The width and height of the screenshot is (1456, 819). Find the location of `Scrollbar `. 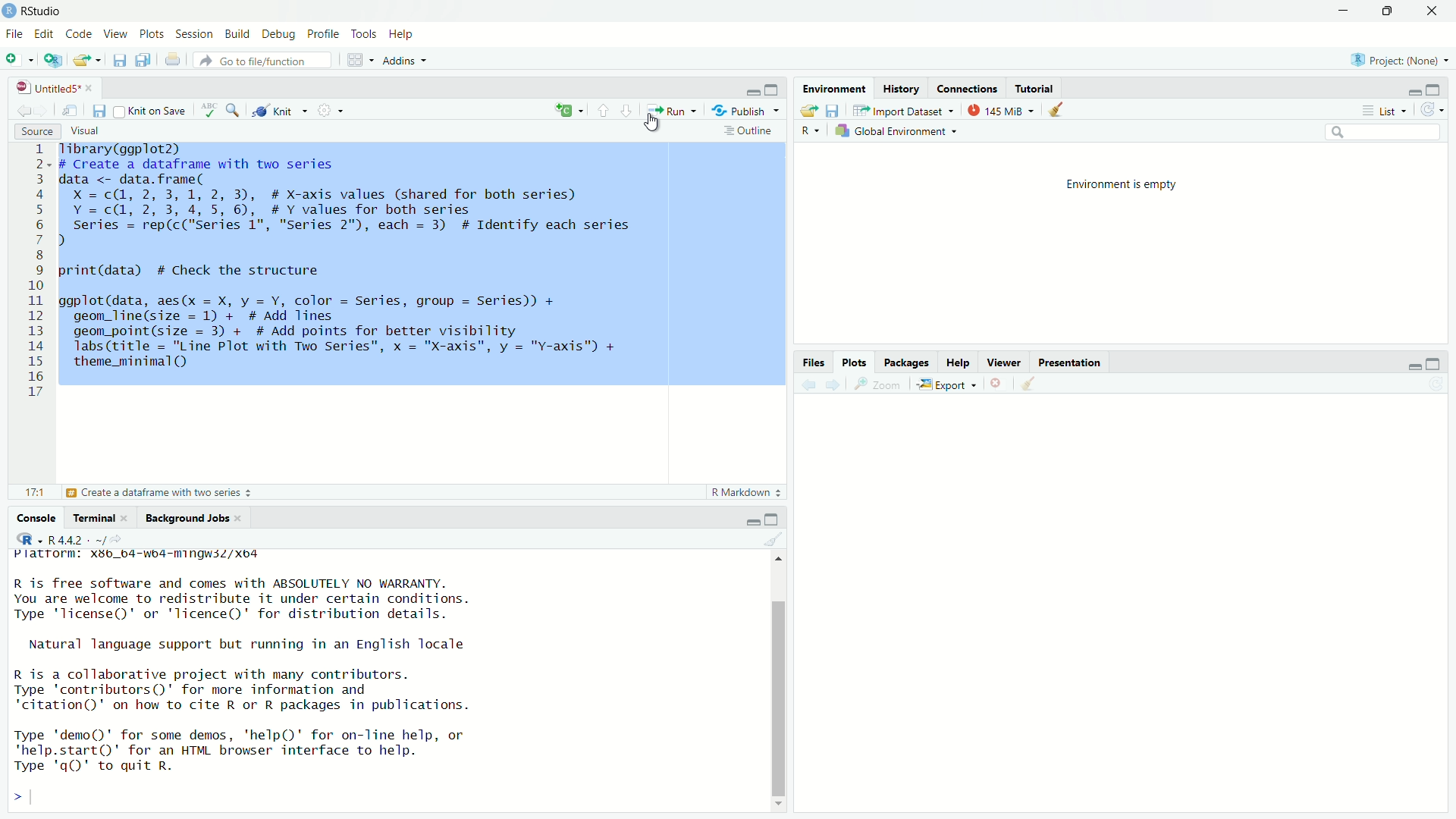

Scrollbar  is located at coordinates (779, 686).